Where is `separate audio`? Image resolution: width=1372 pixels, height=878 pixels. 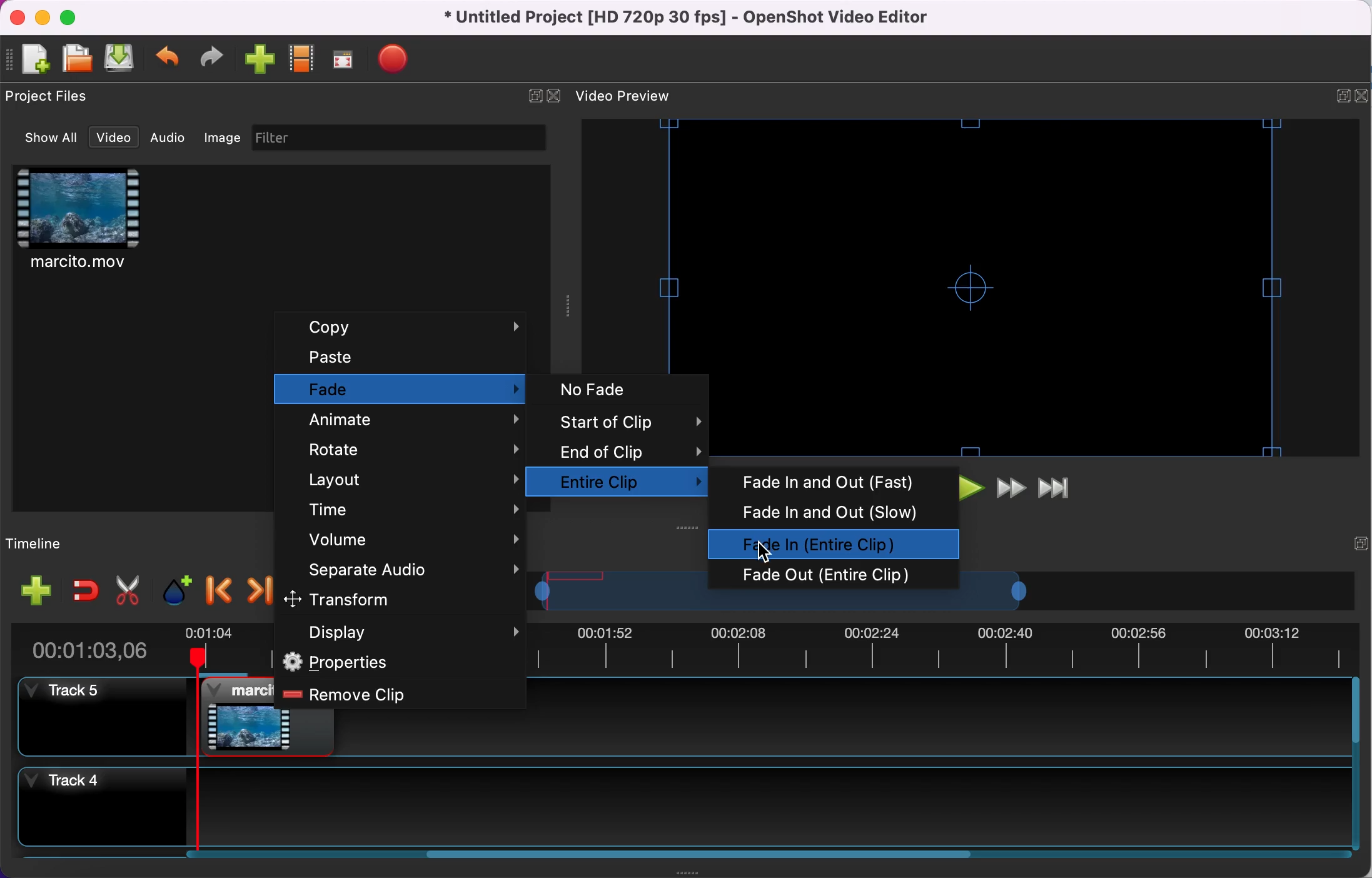 separate audio is located at coordinates (408, 572).